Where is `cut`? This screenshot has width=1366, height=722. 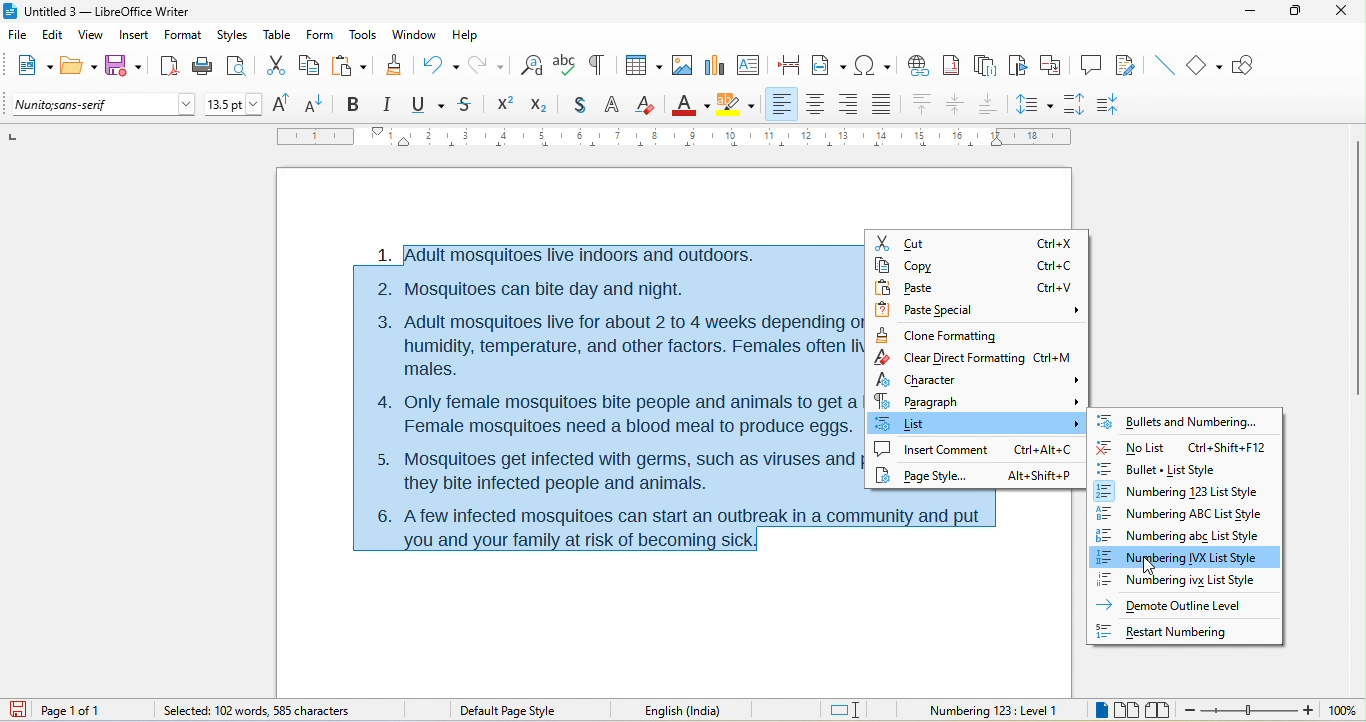 cut is located at coordinates (280, 66).